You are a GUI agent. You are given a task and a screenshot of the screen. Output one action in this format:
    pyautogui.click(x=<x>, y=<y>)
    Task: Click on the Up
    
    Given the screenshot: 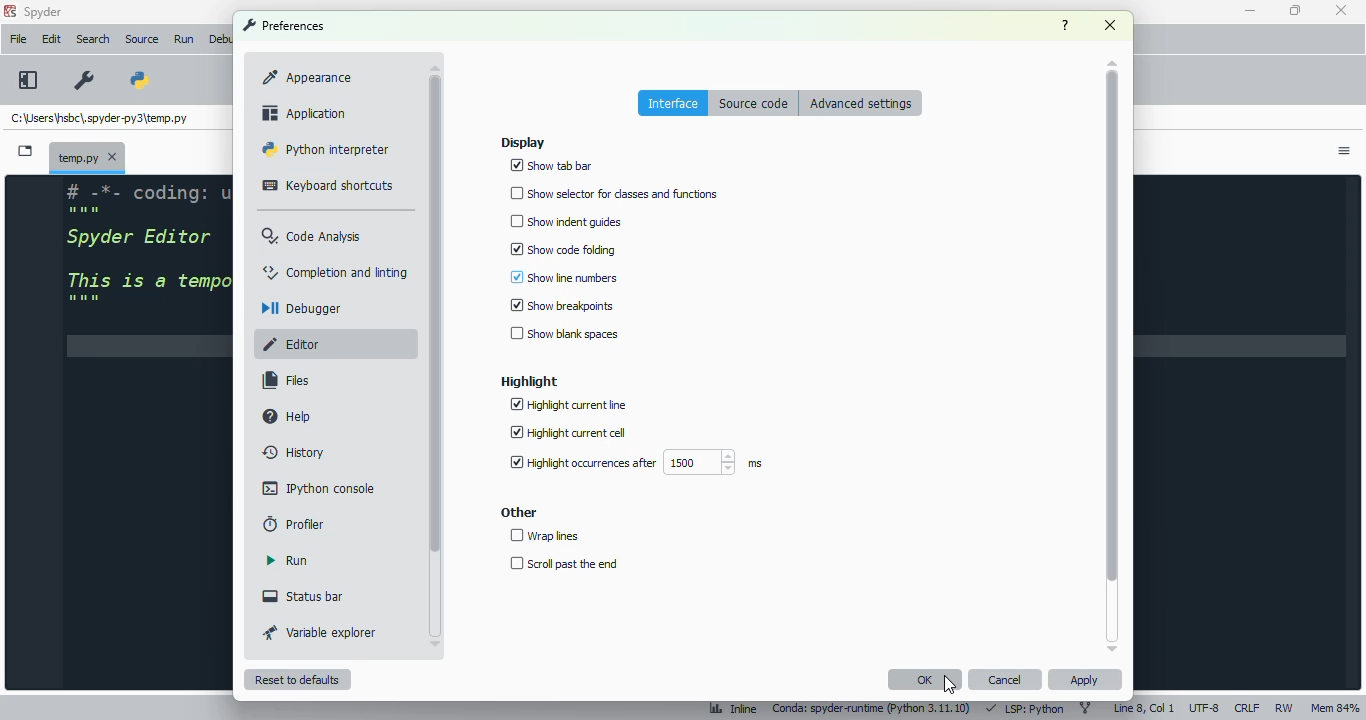 What is the action you would take?
    pyautogui.click(x=1108, y=59)
    